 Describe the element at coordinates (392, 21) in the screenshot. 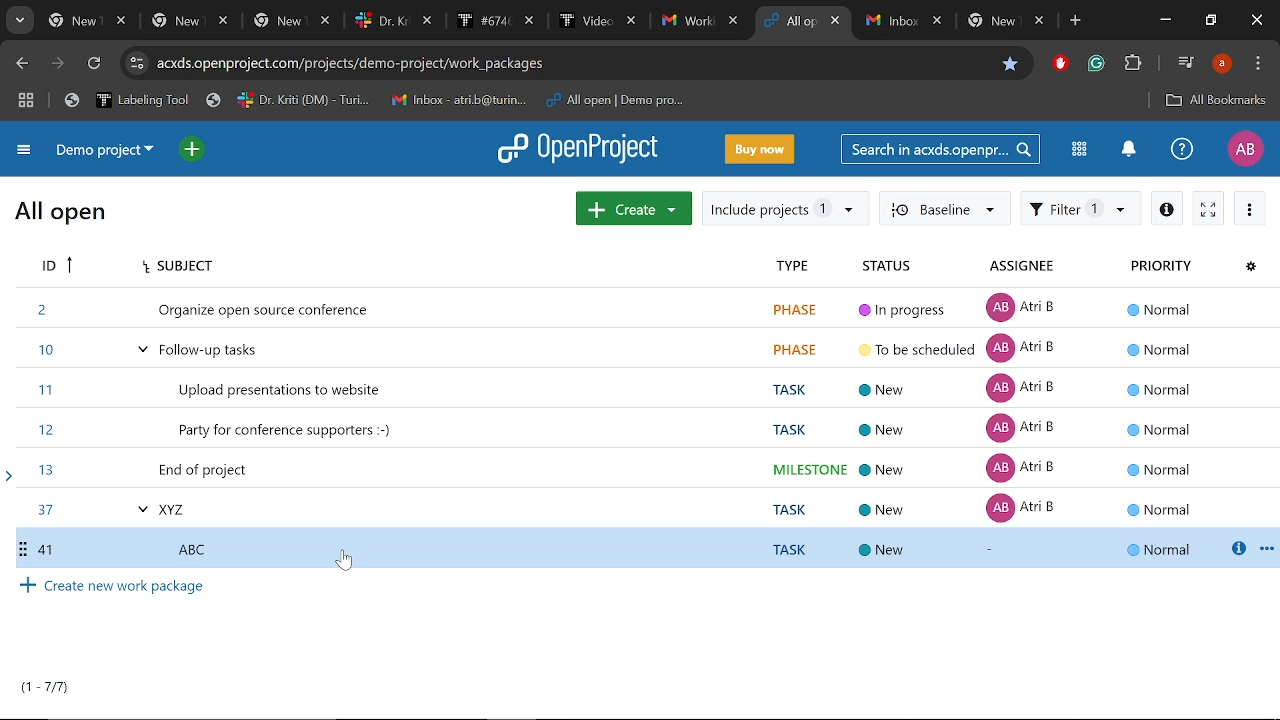

I see `Other tabs` at that location.